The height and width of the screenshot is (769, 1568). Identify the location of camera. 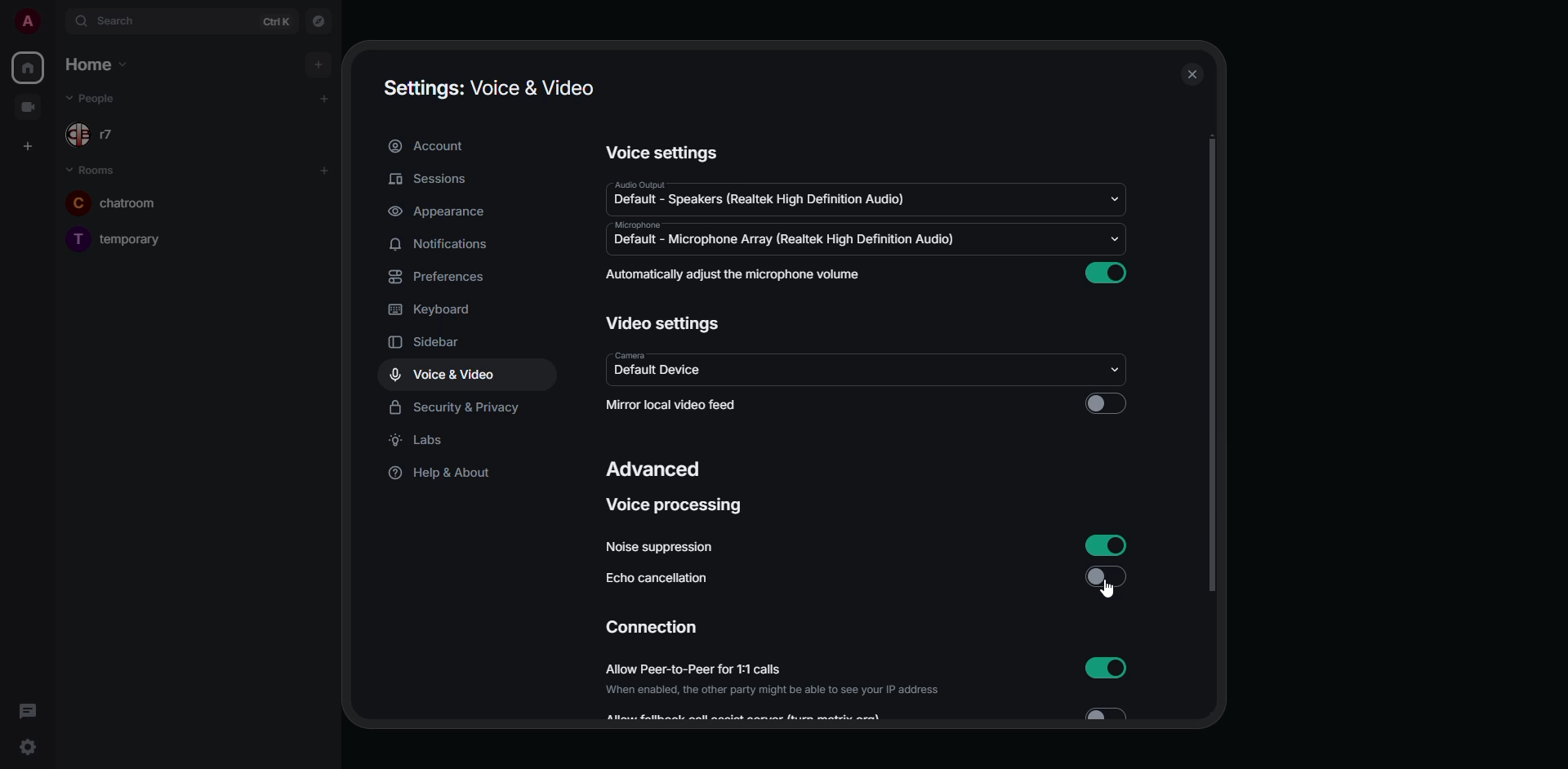
(632, 353).